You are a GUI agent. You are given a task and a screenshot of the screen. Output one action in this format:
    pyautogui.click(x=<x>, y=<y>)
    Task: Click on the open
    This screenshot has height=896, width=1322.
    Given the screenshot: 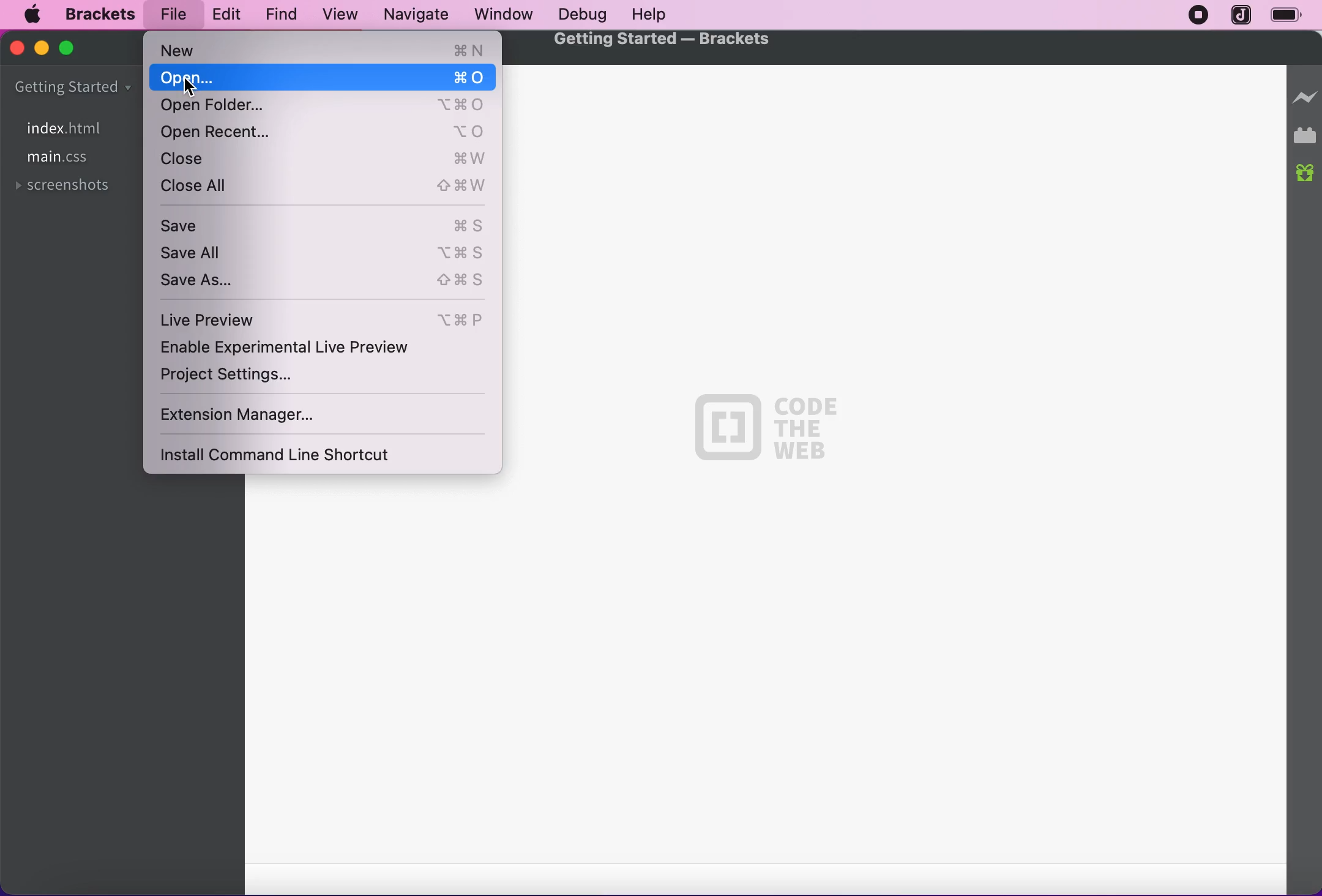 What is the action you would take?
    pyautogui.click(x=323, y=78)
    